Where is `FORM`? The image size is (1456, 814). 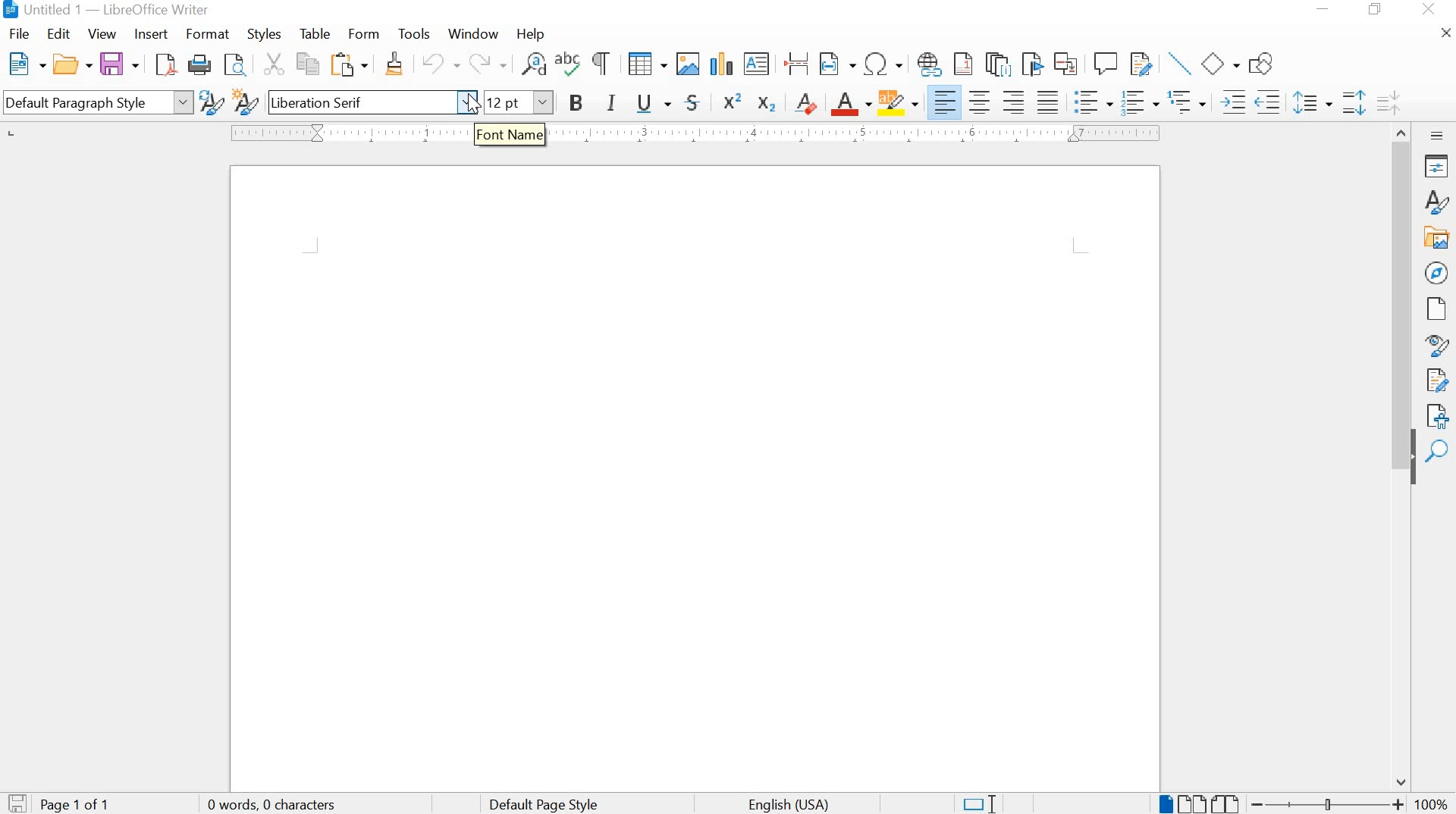
FORM is located at coordinates (363, 34).